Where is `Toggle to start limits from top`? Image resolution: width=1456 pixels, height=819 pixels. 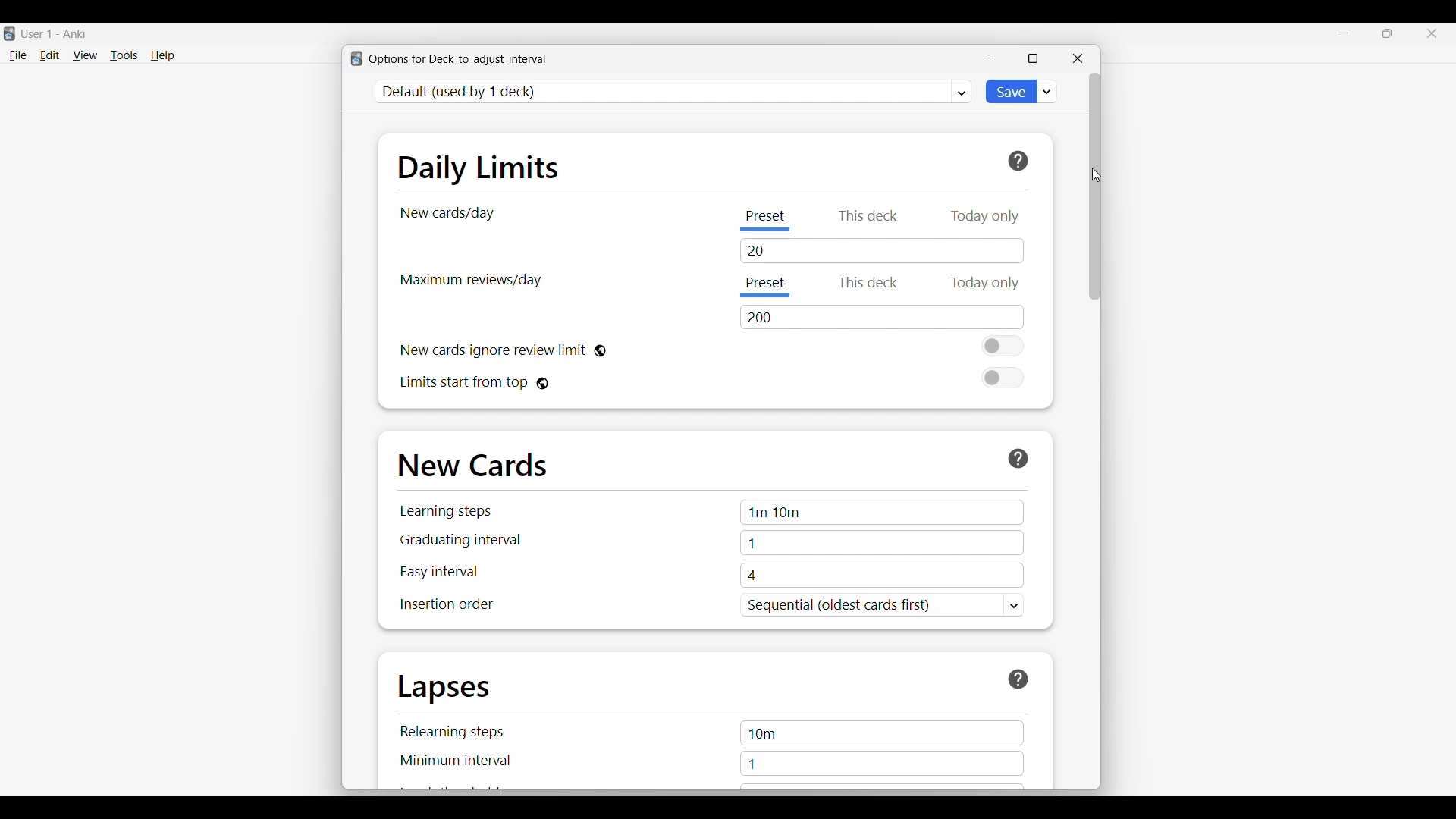
Toggle to start limits from top is located at coordinates (1002, 378).